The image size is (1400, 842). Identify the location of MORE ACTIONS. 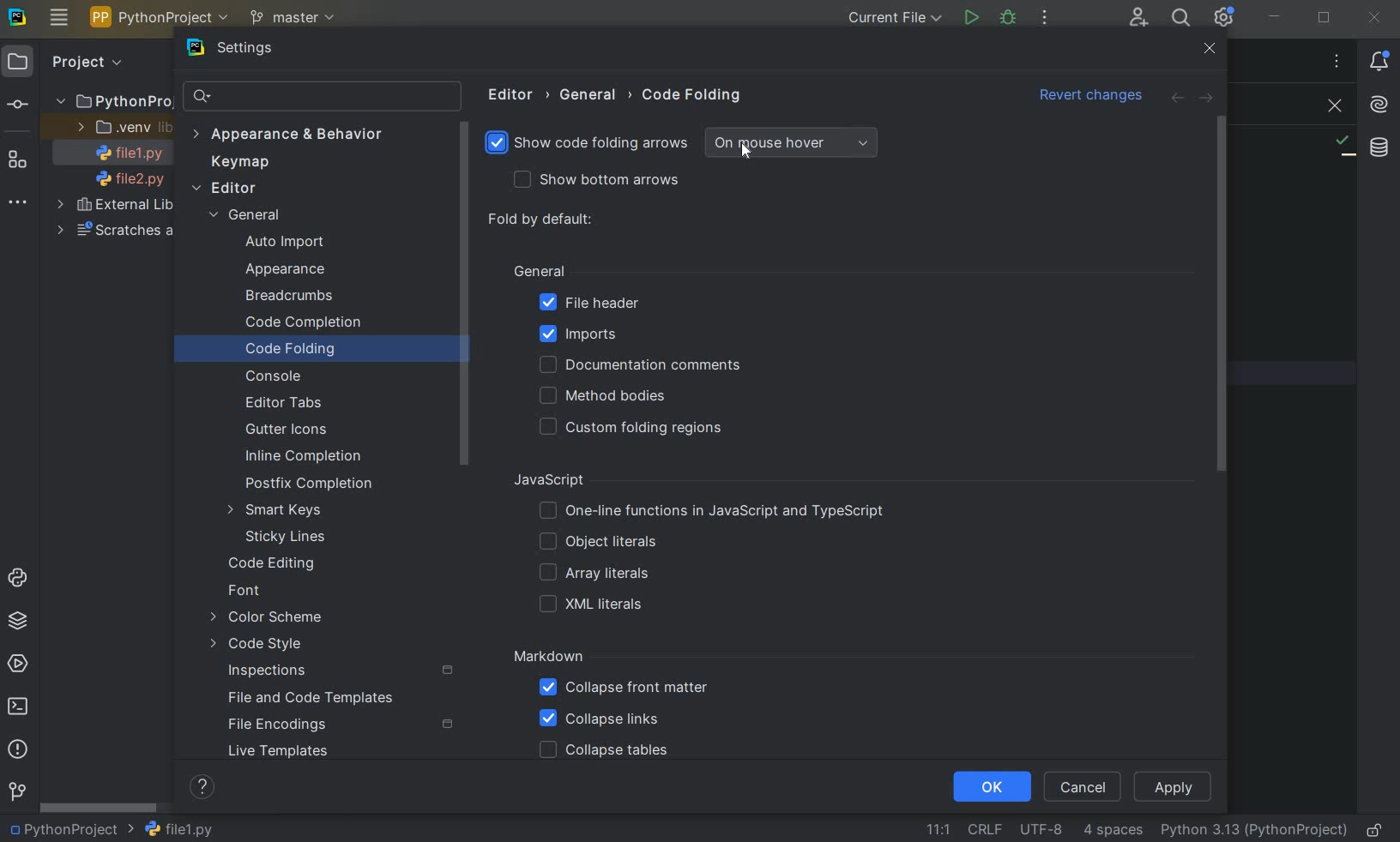
(1046, 17).